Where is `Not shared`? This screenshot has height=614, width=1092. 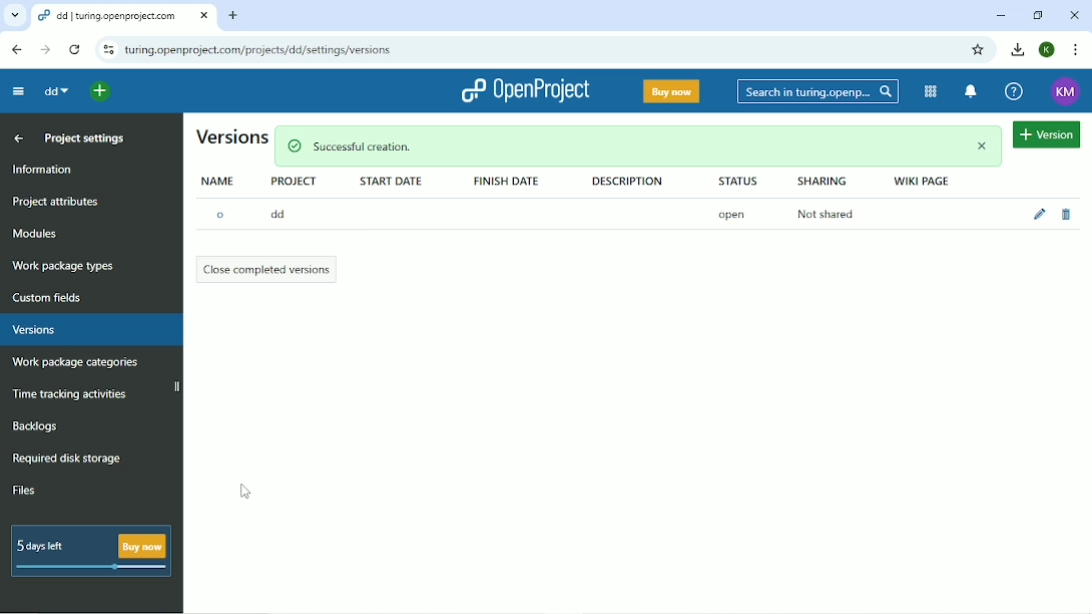 Not shared is located at coordinates (828, 214).